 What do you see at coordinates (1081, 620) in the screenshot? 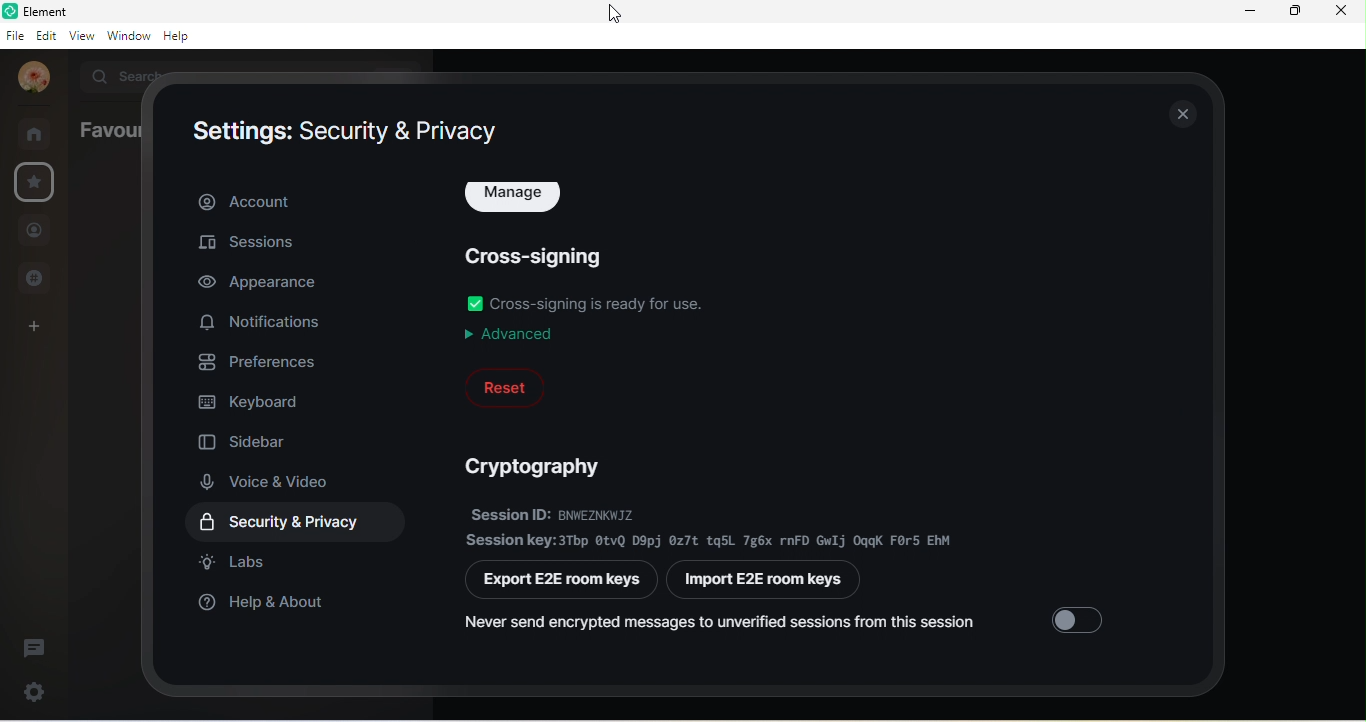
I see `toggle on/off` at bounding box center [1081, 620].